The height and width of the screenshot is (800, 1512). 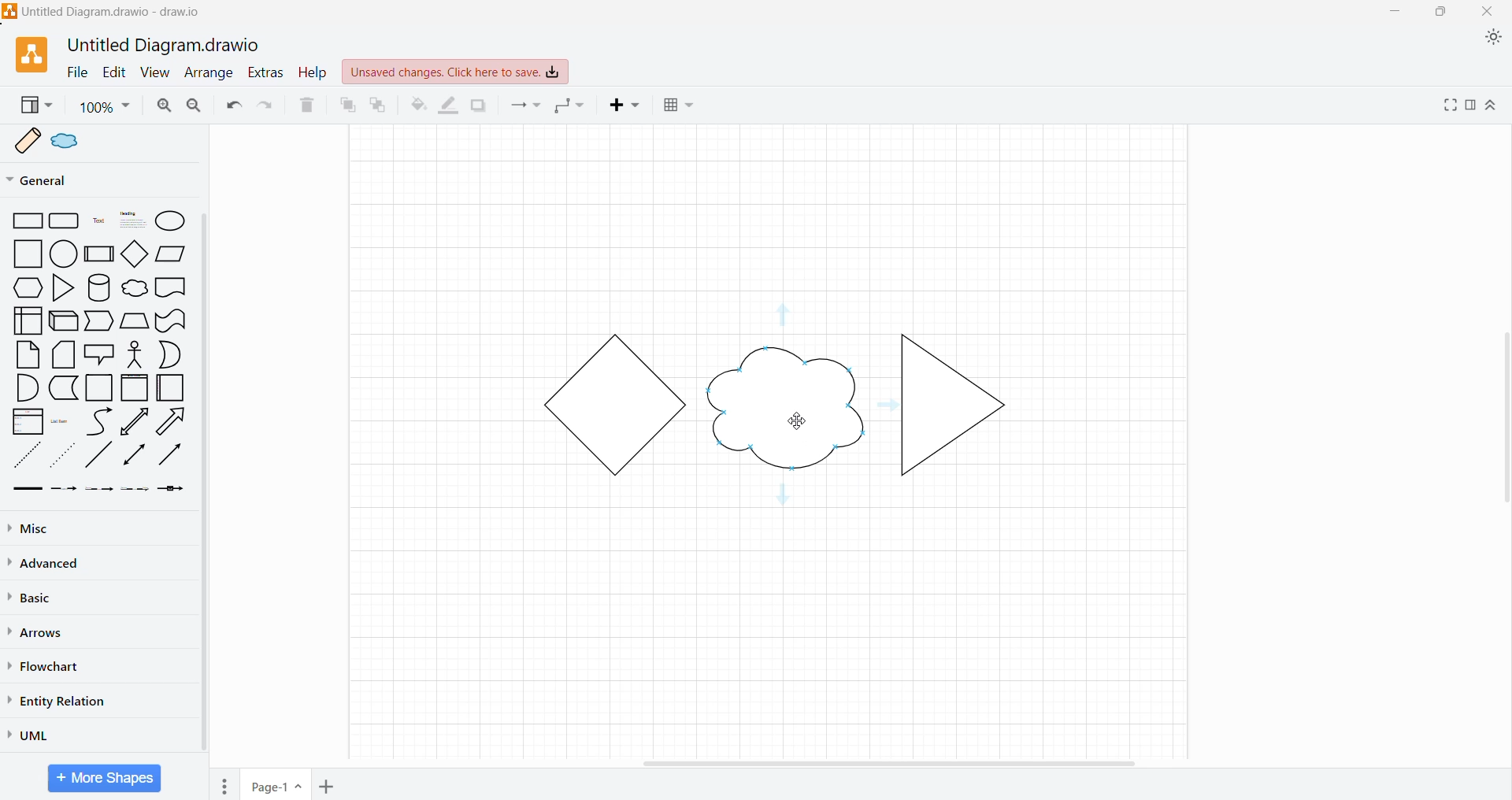 I want to click on Untitled Diagram.drawio, so click(x=162, y=43).